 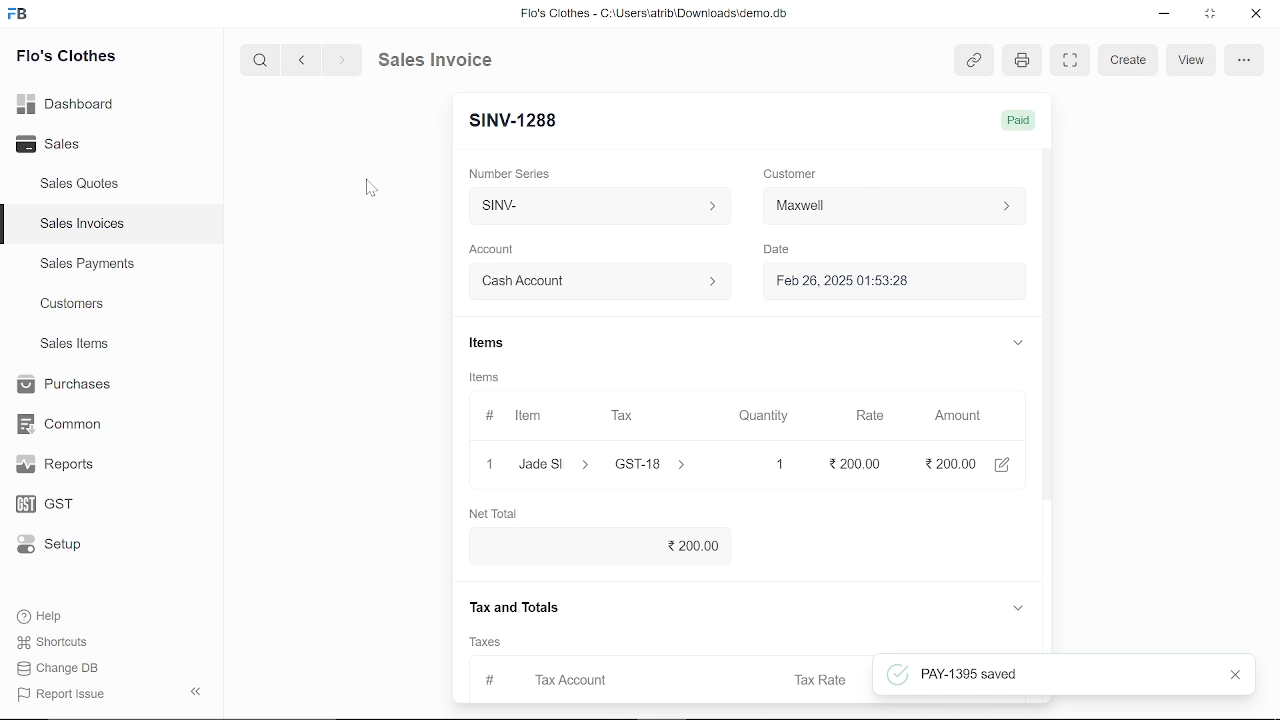 What do you see at coordinates (605, 544) in the screenshot?
I see `200.00` at bounding box center [605, 544].